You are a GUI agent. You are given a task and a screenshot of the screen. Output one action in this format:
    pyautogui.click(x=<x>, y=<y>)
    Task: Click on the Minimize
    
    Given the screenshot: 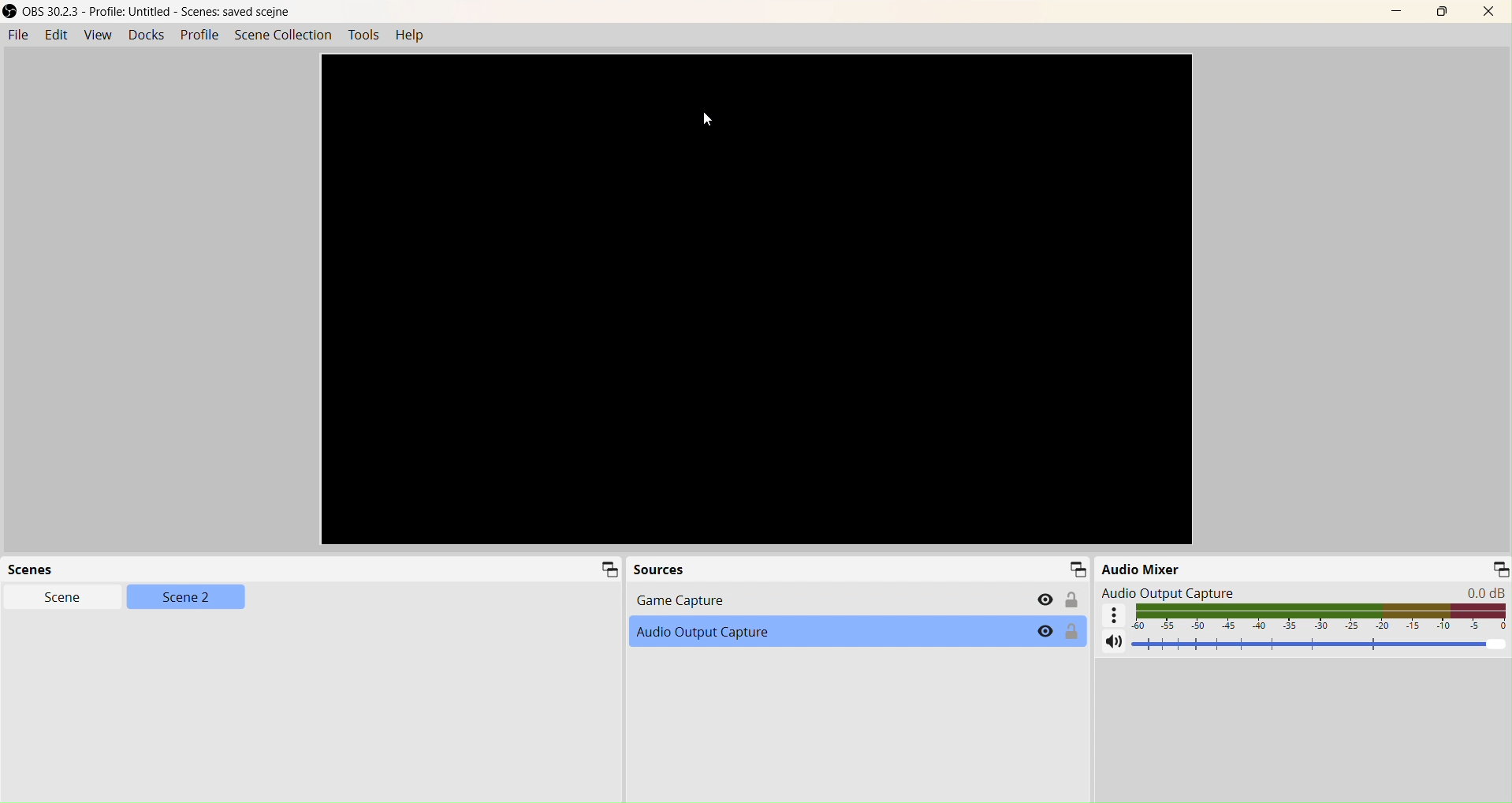 What is the action you would take?
    pyautogui.click(x=1401, y=12)
    